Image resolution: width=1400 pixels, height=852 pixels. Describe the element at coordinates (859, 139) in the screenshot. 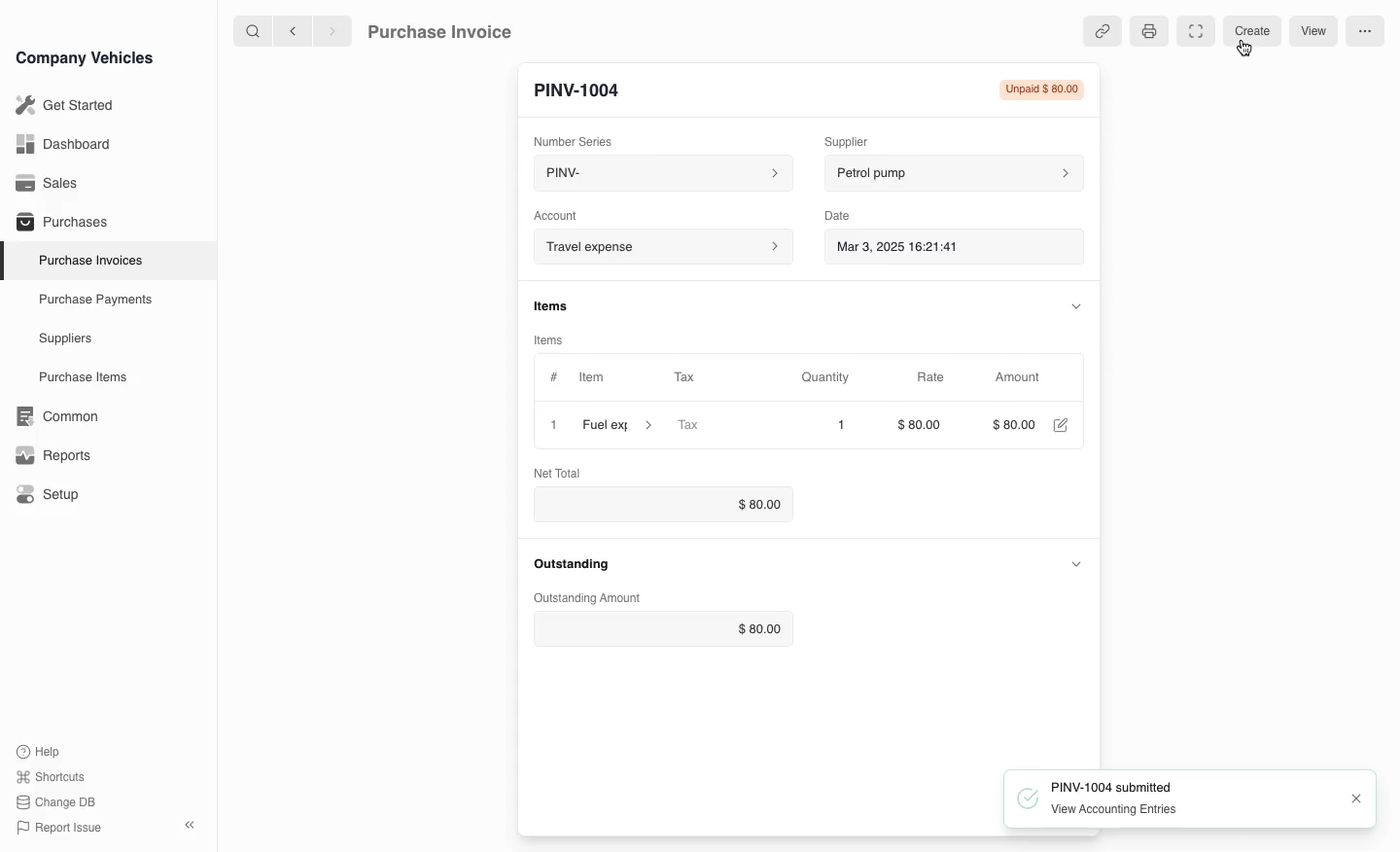

I see `Supplier` at that location.